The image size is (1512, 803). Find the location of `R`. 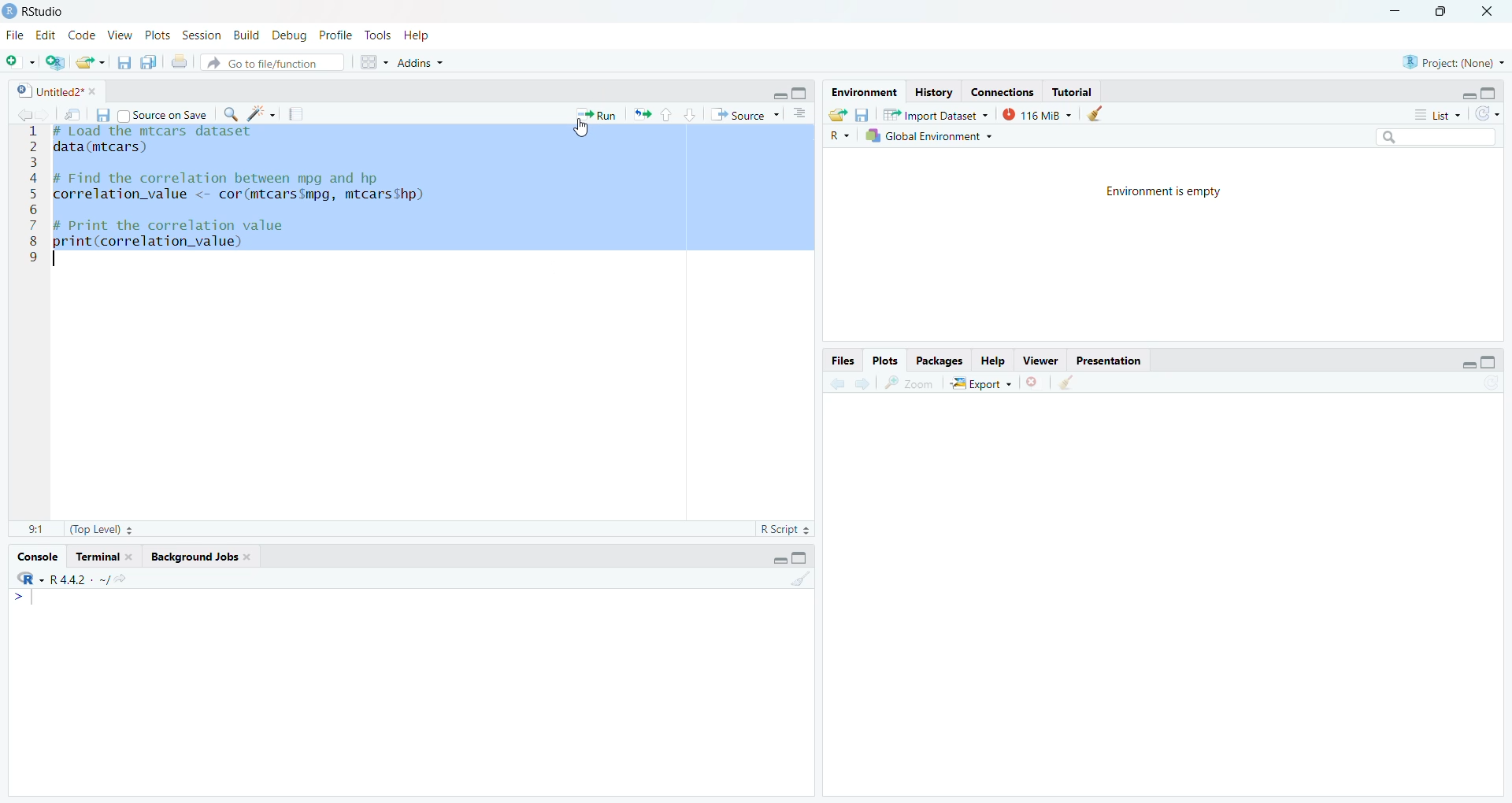

R is located at coordinates (27, 579).